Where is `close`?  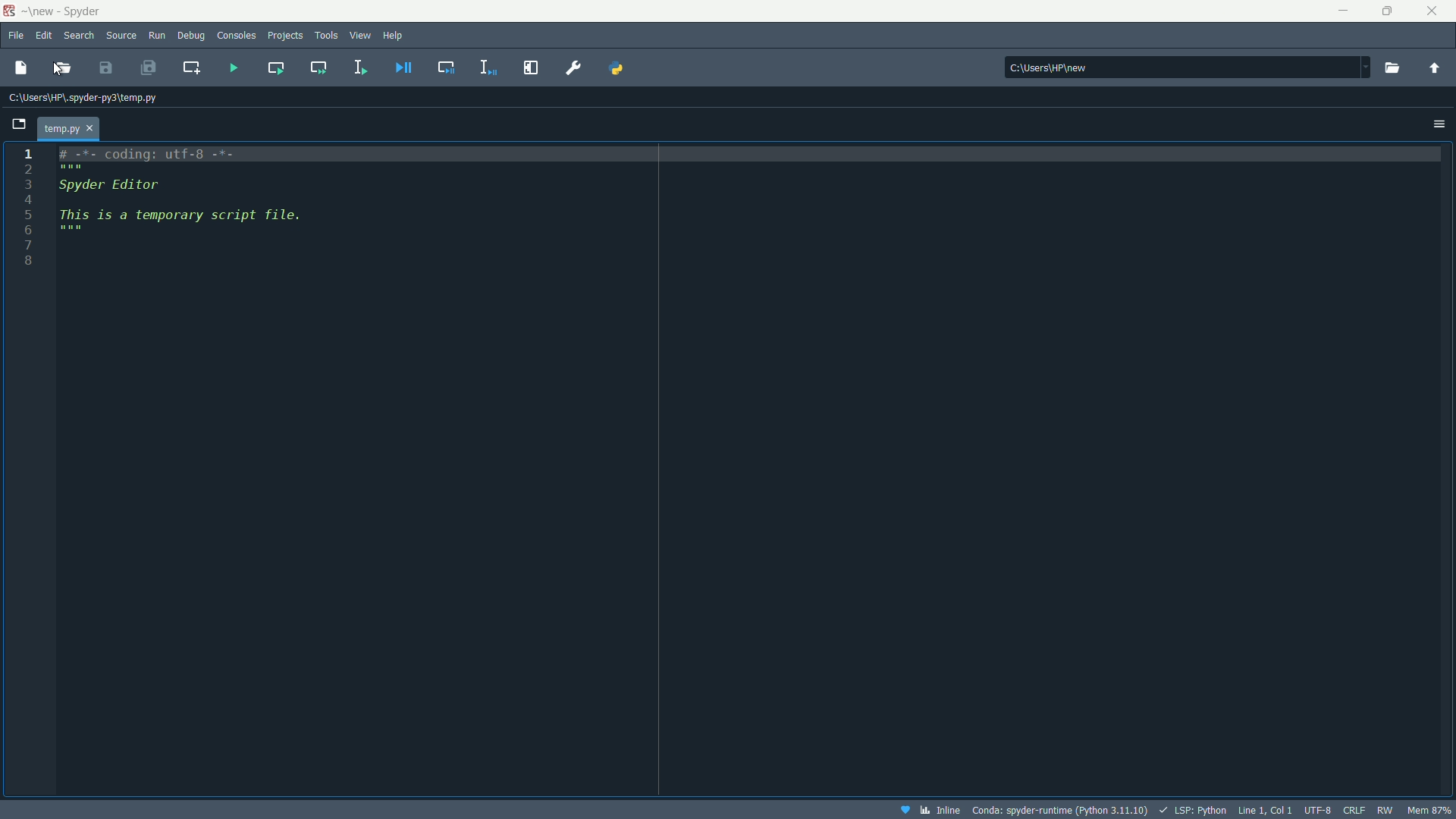
close is located at coordinates (1432, 11).